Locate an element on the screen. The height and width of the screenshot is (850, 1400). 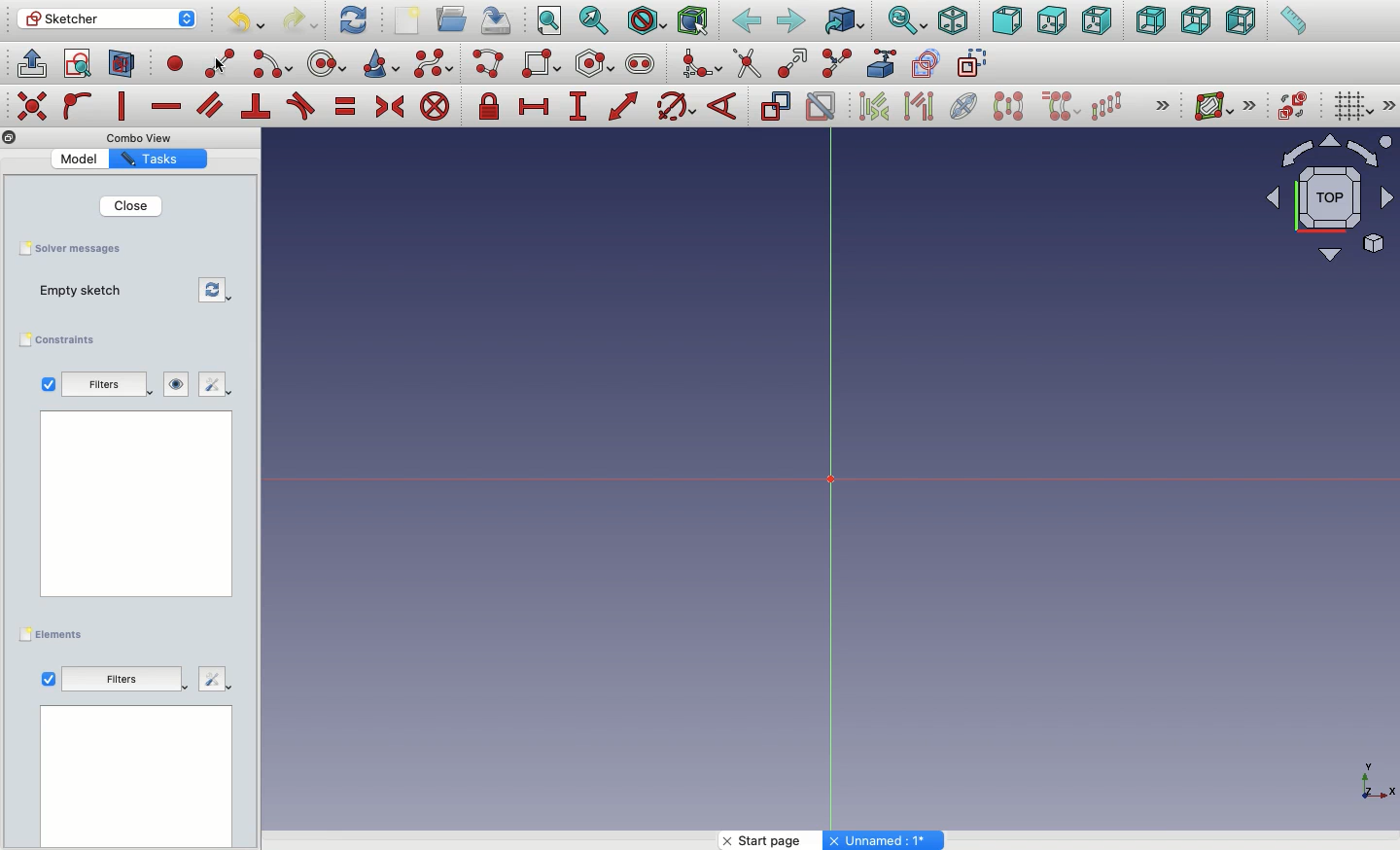
View is located at coordinates (48, 678).